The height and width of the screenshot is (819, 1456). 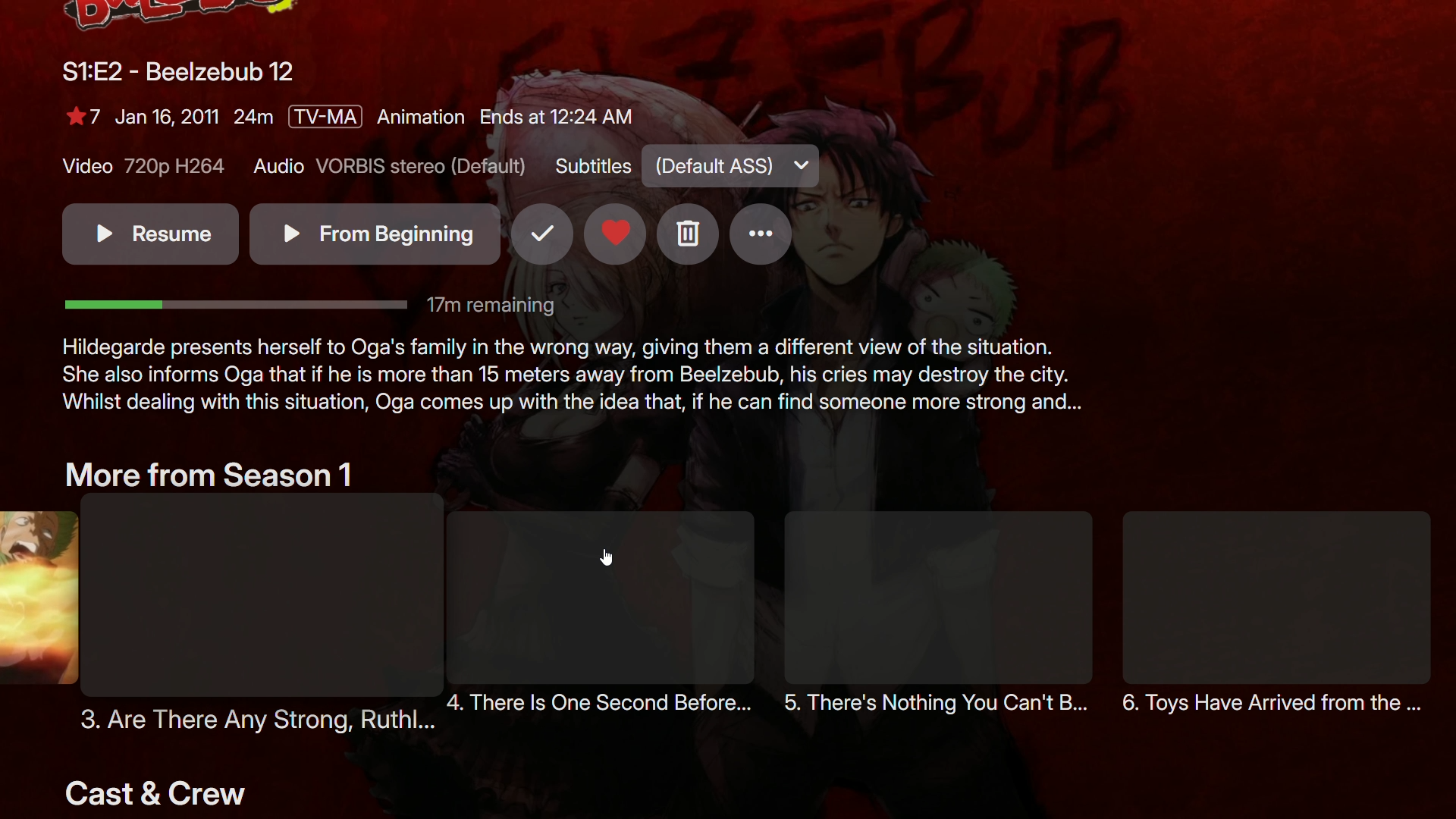 I want to click on There is one second before, so click(x=604, y=647).